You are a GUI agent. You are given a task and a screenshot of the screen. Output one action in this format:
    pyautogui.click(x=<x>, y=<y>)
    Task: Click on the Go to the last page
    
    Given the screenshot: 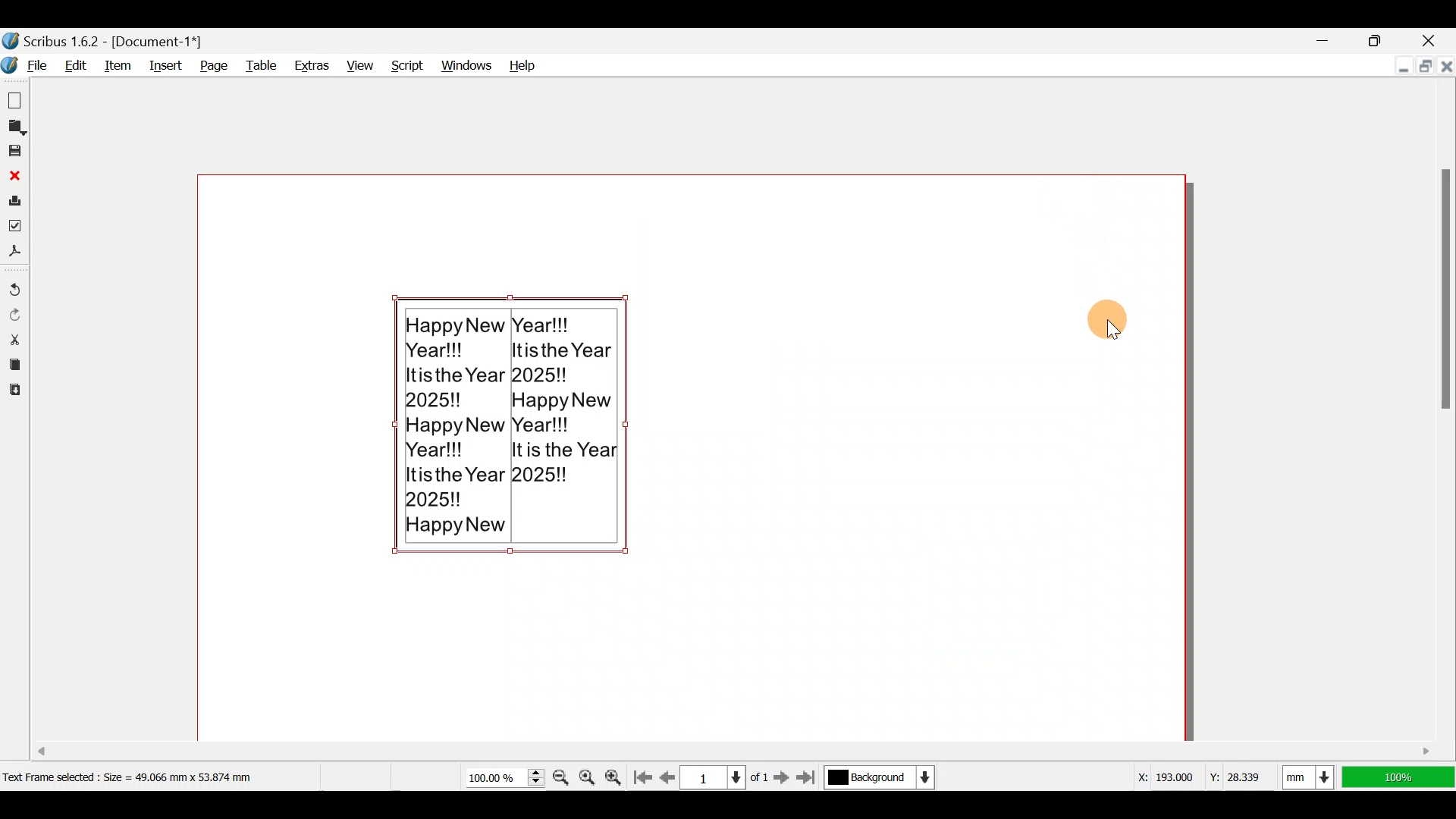 What is the action you would take?
    pyautogui.click(x=809, y=777)
    